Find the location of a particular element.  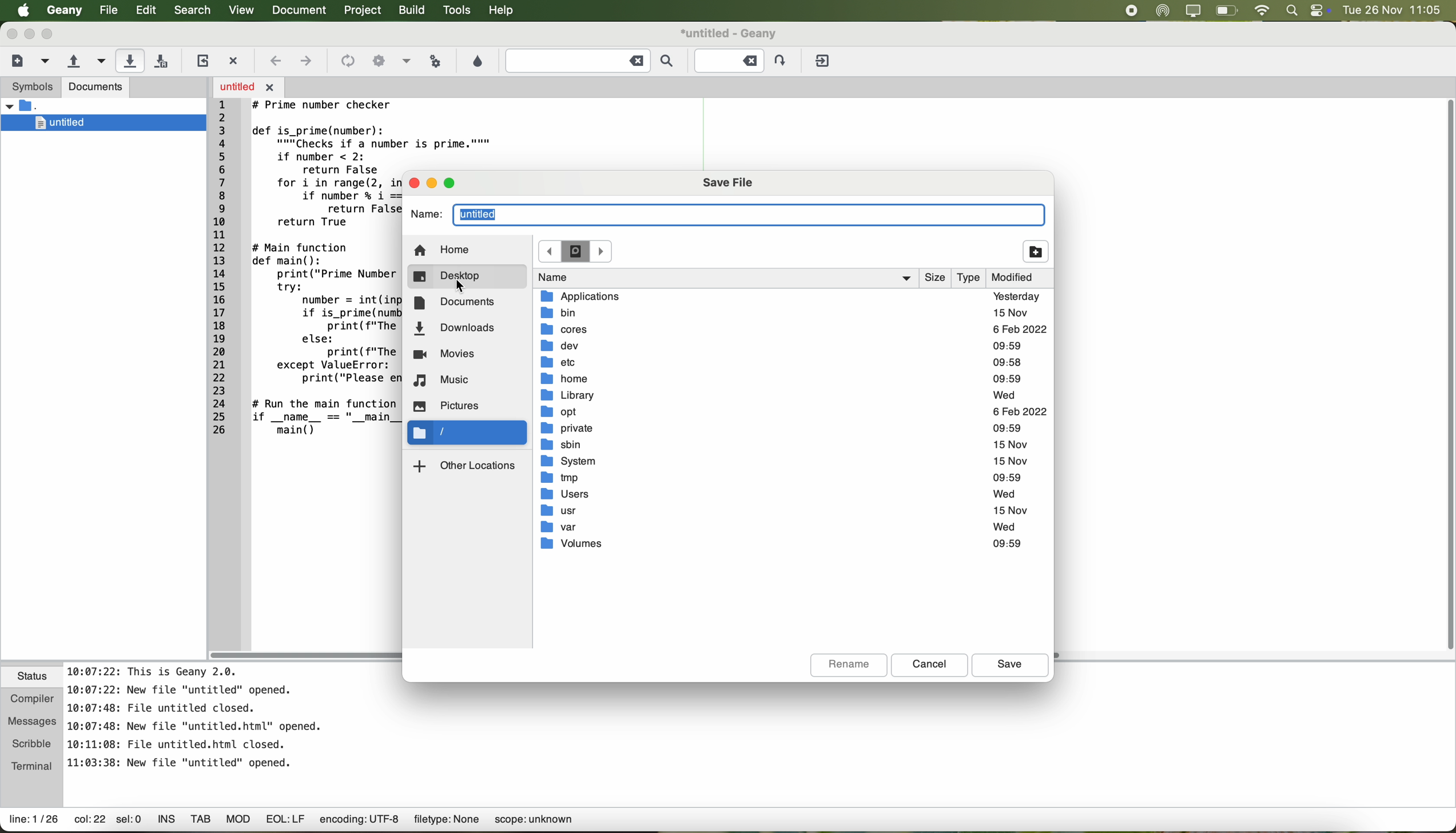

system is located at coordinates (787, 462).